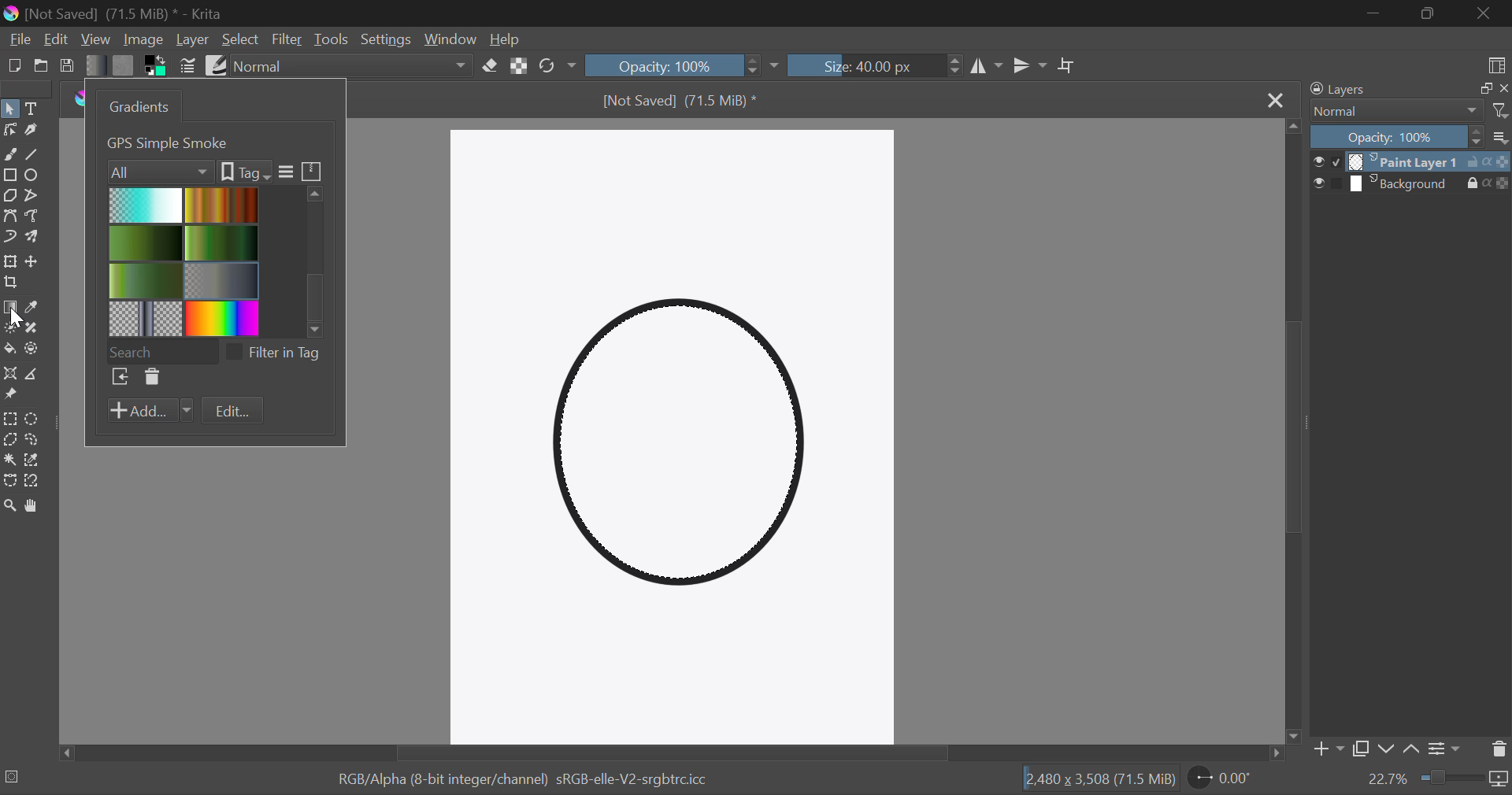 This screenshot has width=1512, height=795. I want to click on Freehand, so click(9, 155).